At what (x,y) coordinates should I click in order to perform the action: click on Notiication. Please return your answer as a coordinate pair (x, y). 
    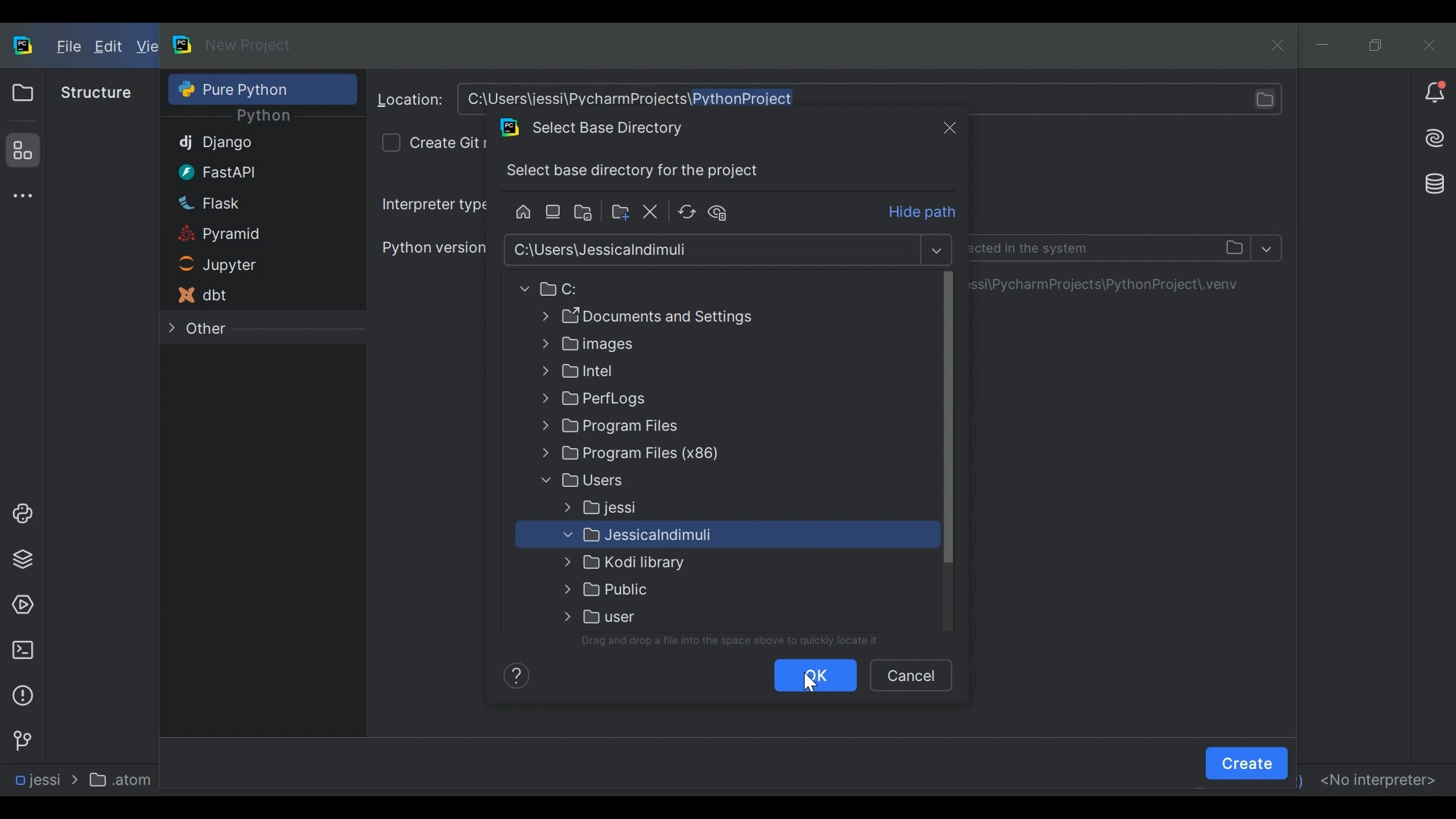
    Looking at the image, I should click on (1435, 93).